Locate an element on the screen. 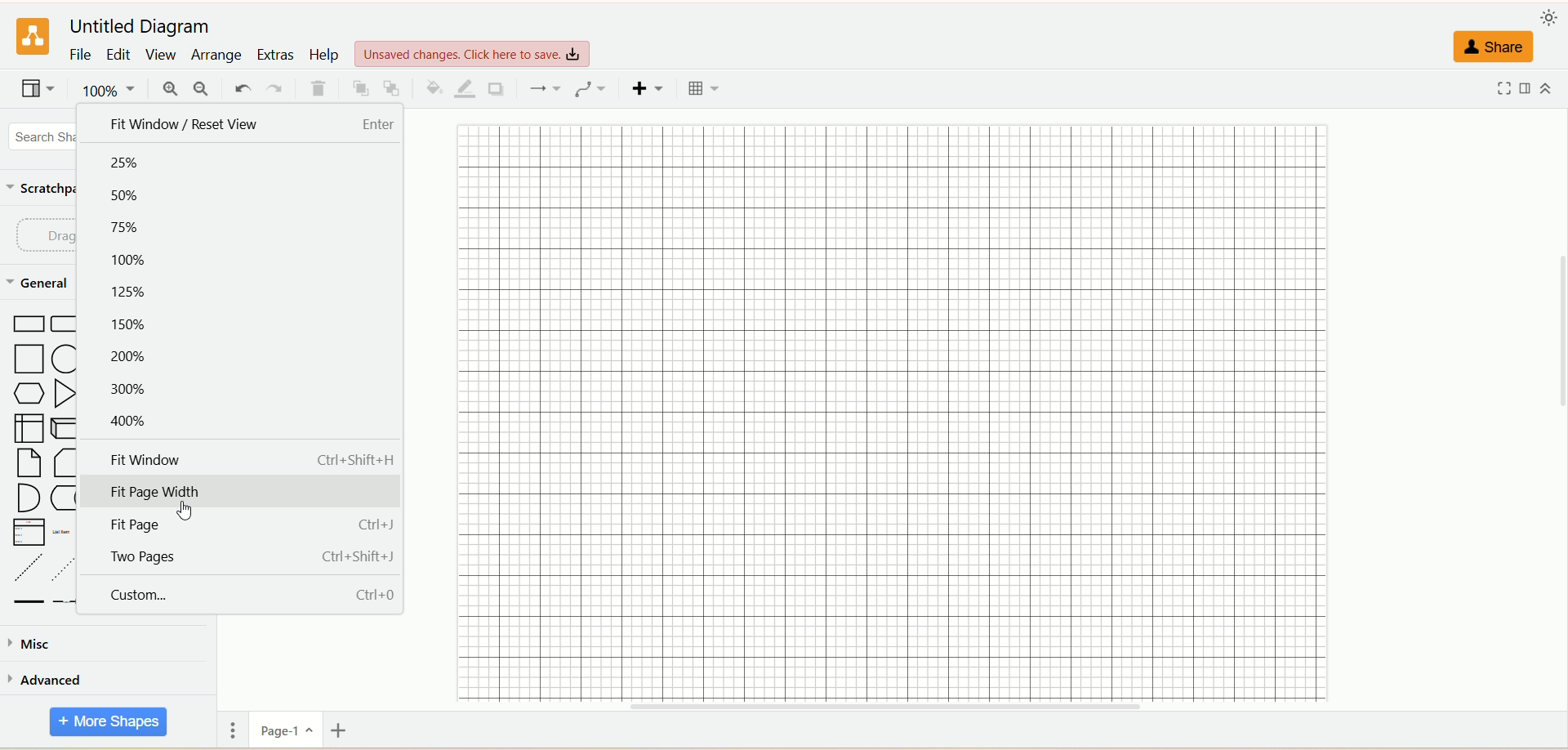  zoom factor is located at coordinates (114, 93).